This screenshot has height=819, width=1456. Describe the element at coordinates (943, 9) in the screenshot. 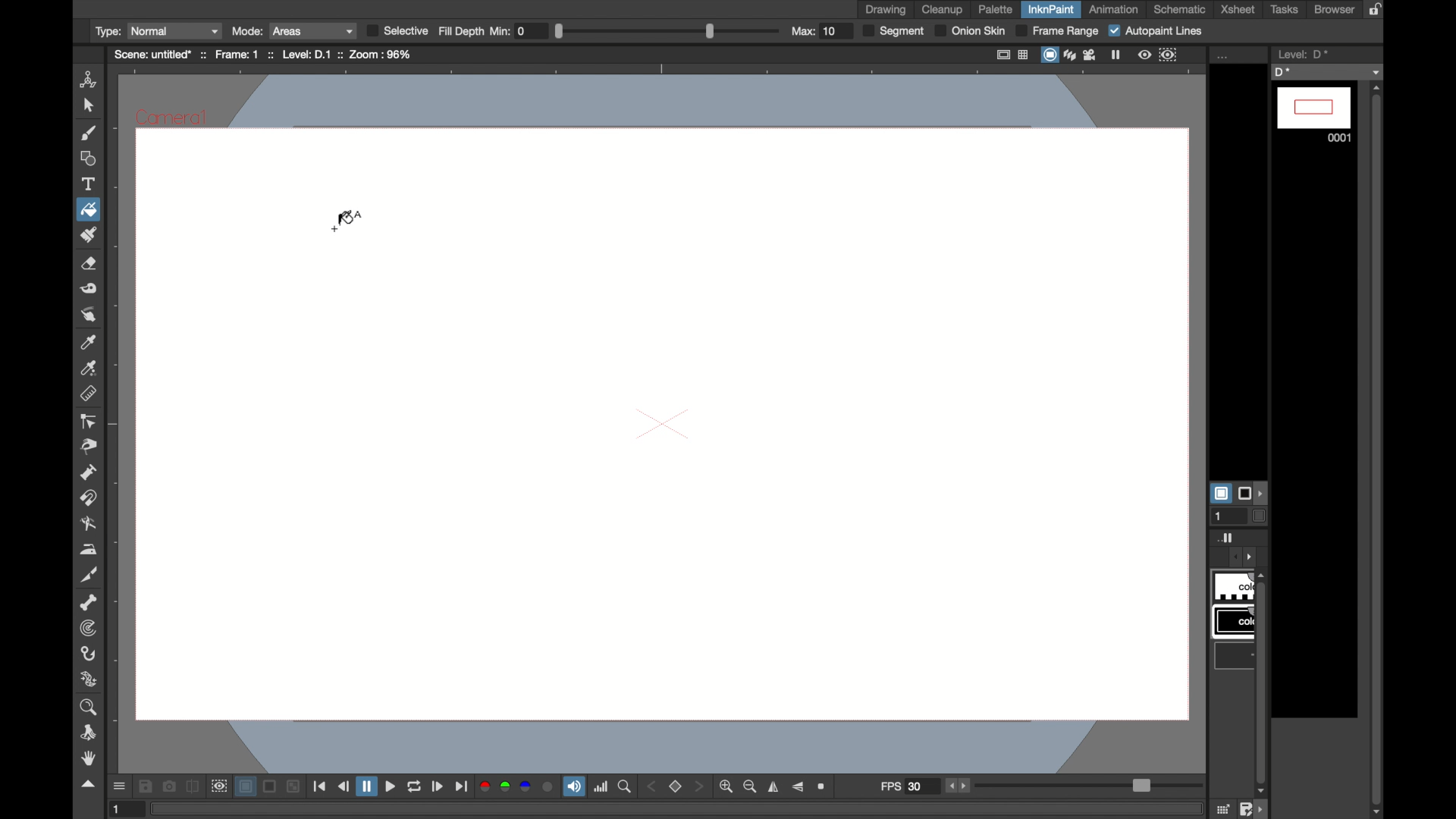

I see `cleanup` at that location.